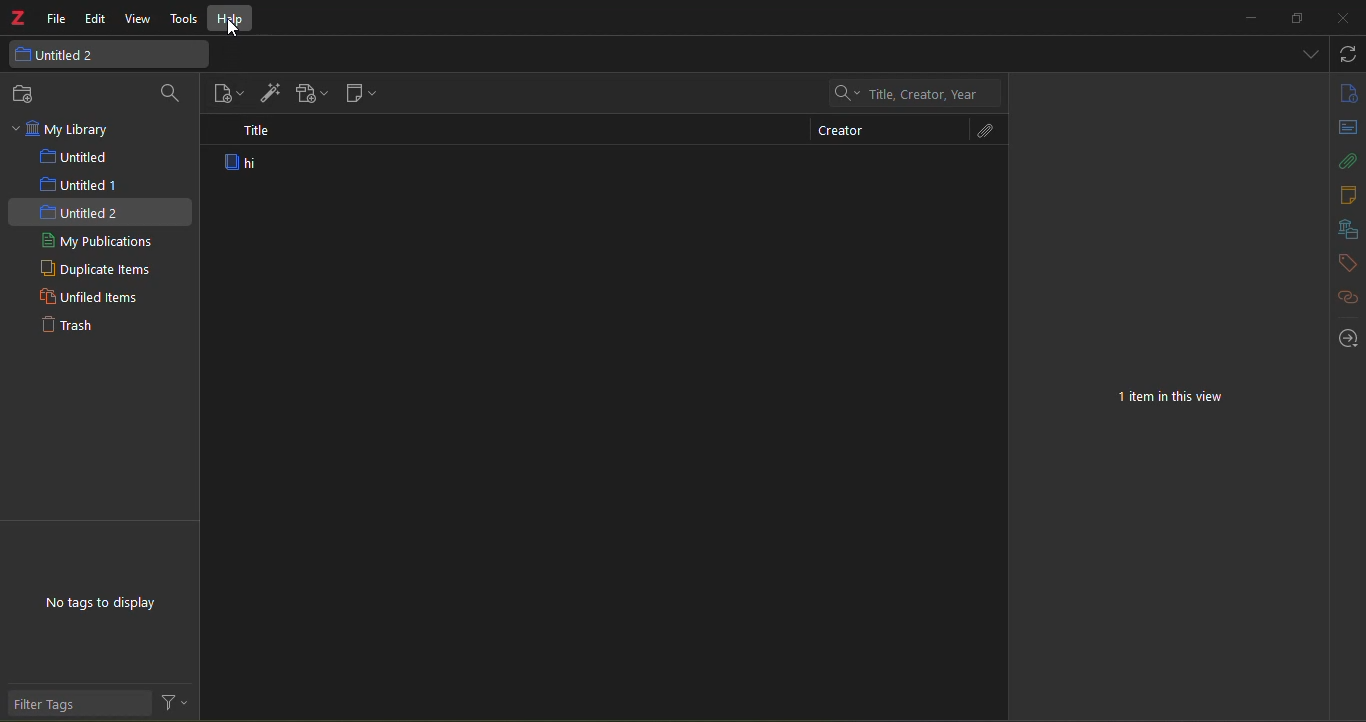  Describe the element at coordinates (980, 130) in the screenshot. I see `attach` at that location.